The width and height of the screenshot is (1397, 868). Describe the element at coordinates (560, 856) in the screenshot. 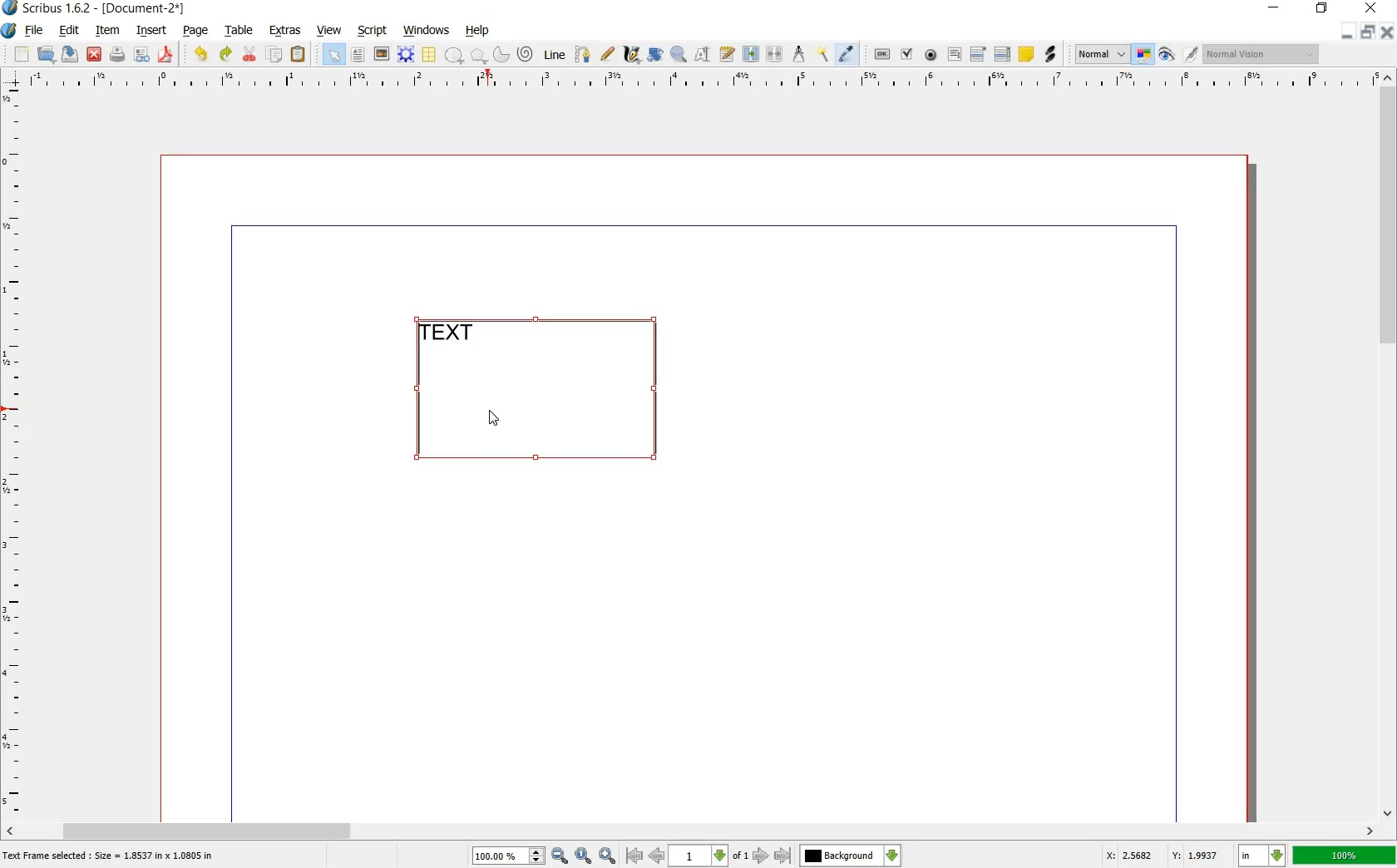

I see `zoom out` at that location.